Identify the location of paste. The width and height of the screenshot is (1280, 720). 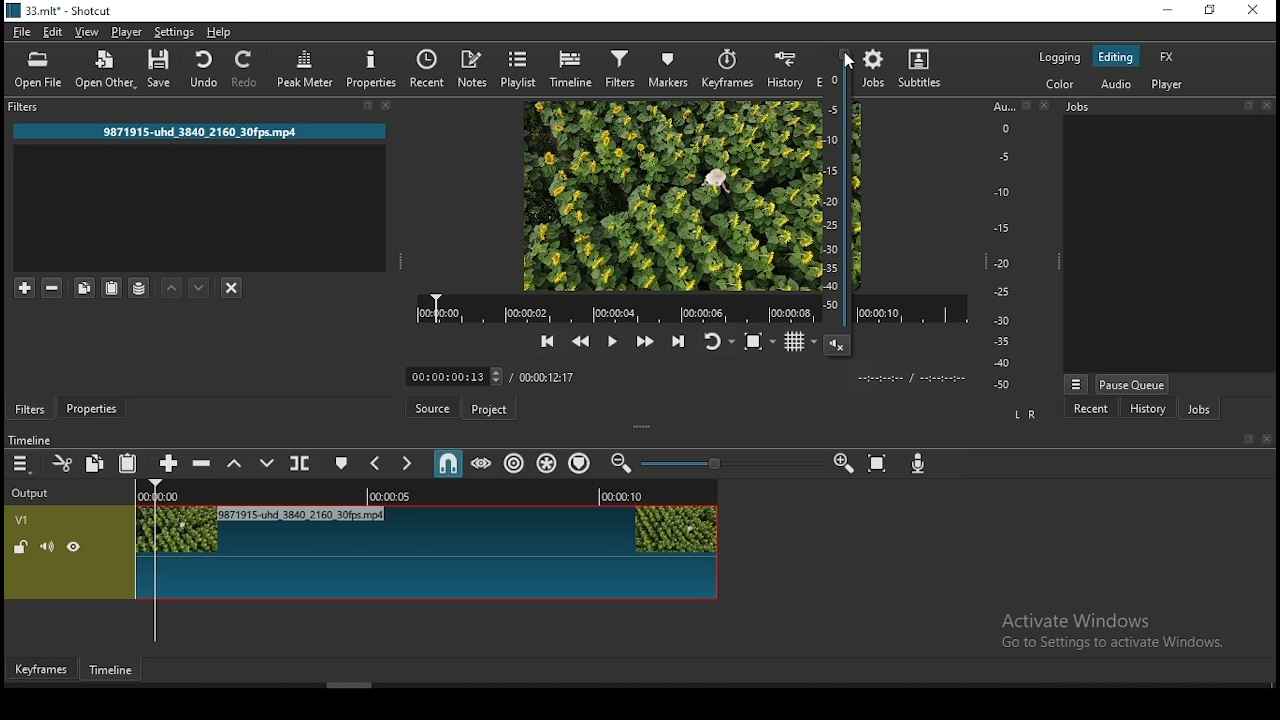
(127, 462).